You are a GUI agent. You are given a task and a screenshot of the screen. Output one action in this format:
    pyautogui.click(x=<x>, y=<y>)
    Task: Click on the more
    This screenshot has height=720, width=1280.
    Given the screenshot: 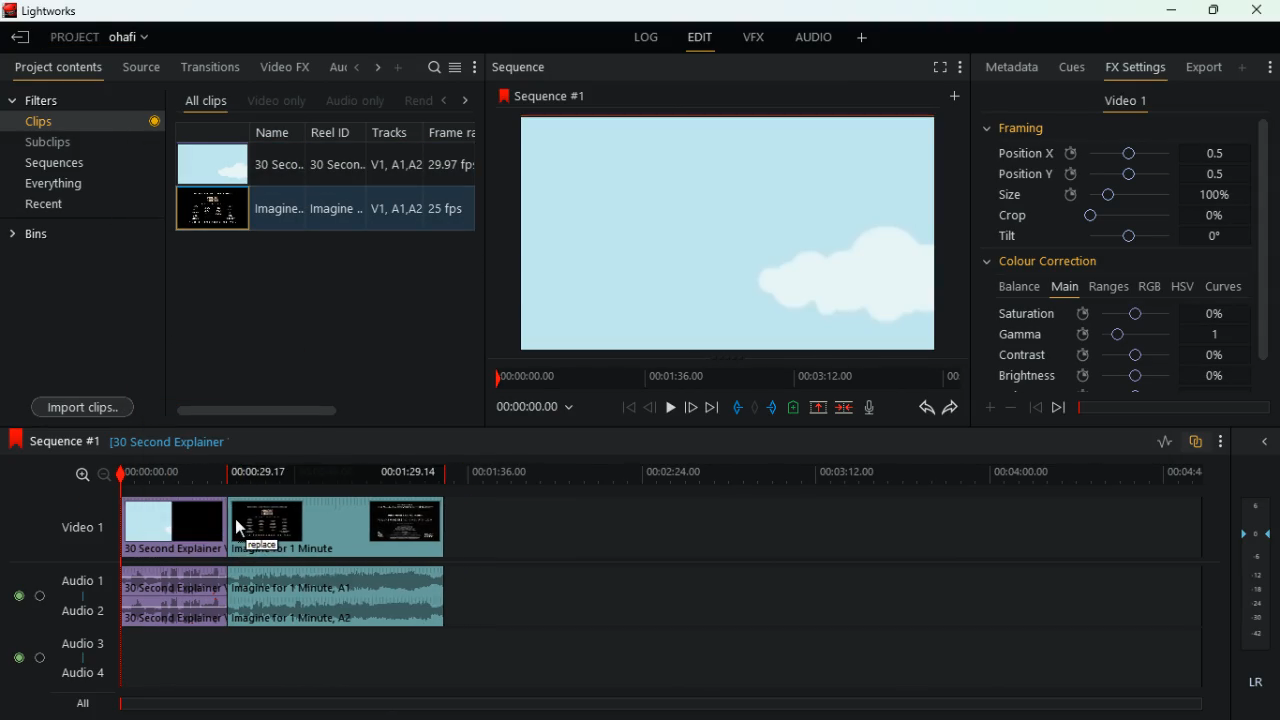 What is the action you would take?
    pyautogui.click(x=963, y=69)
    